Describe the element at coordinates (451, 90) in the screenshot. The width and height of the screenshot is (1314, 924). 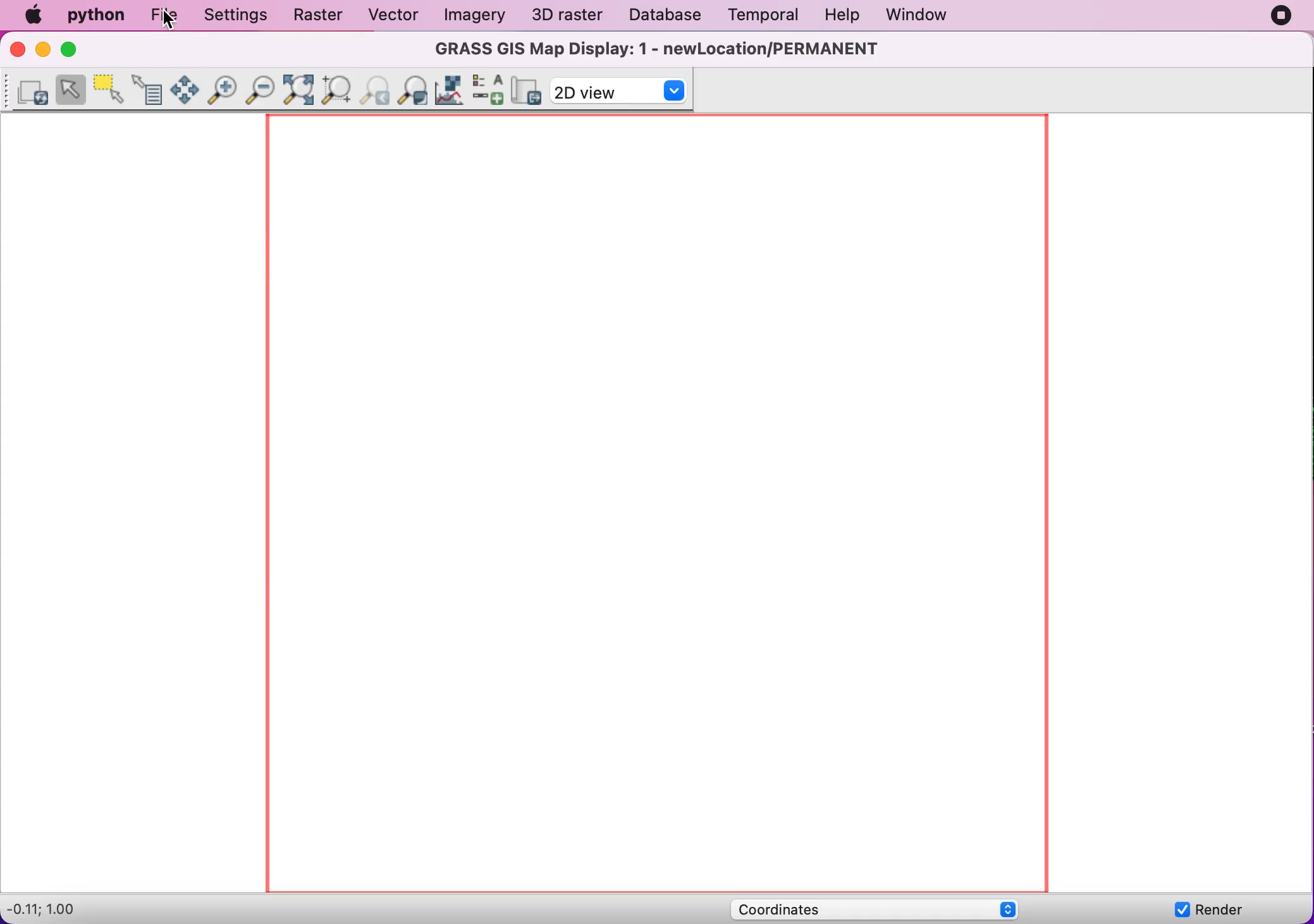
I see `analyze menu` at that location.